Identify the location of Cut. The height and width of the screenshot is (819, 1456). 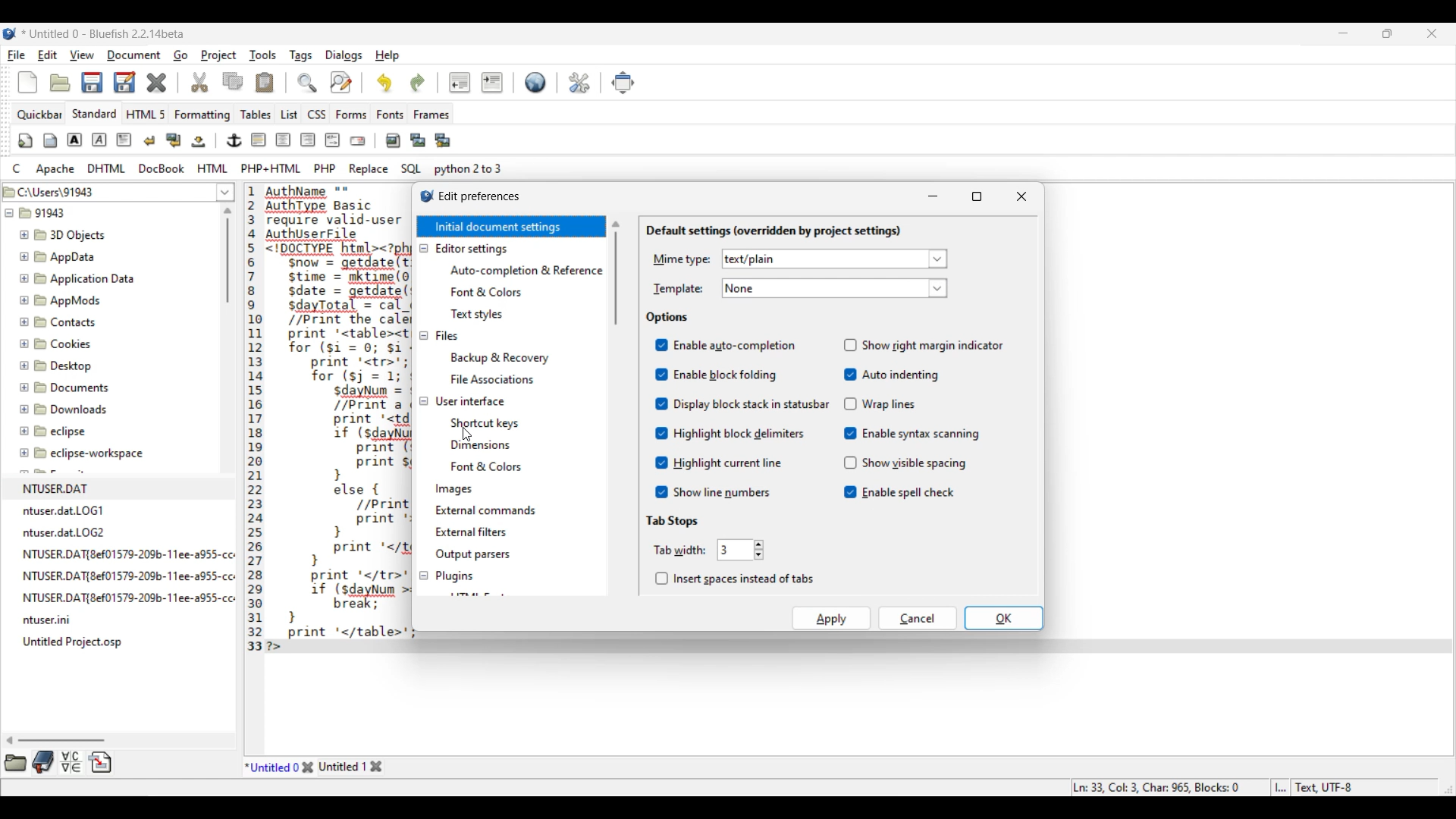
(199, 83).